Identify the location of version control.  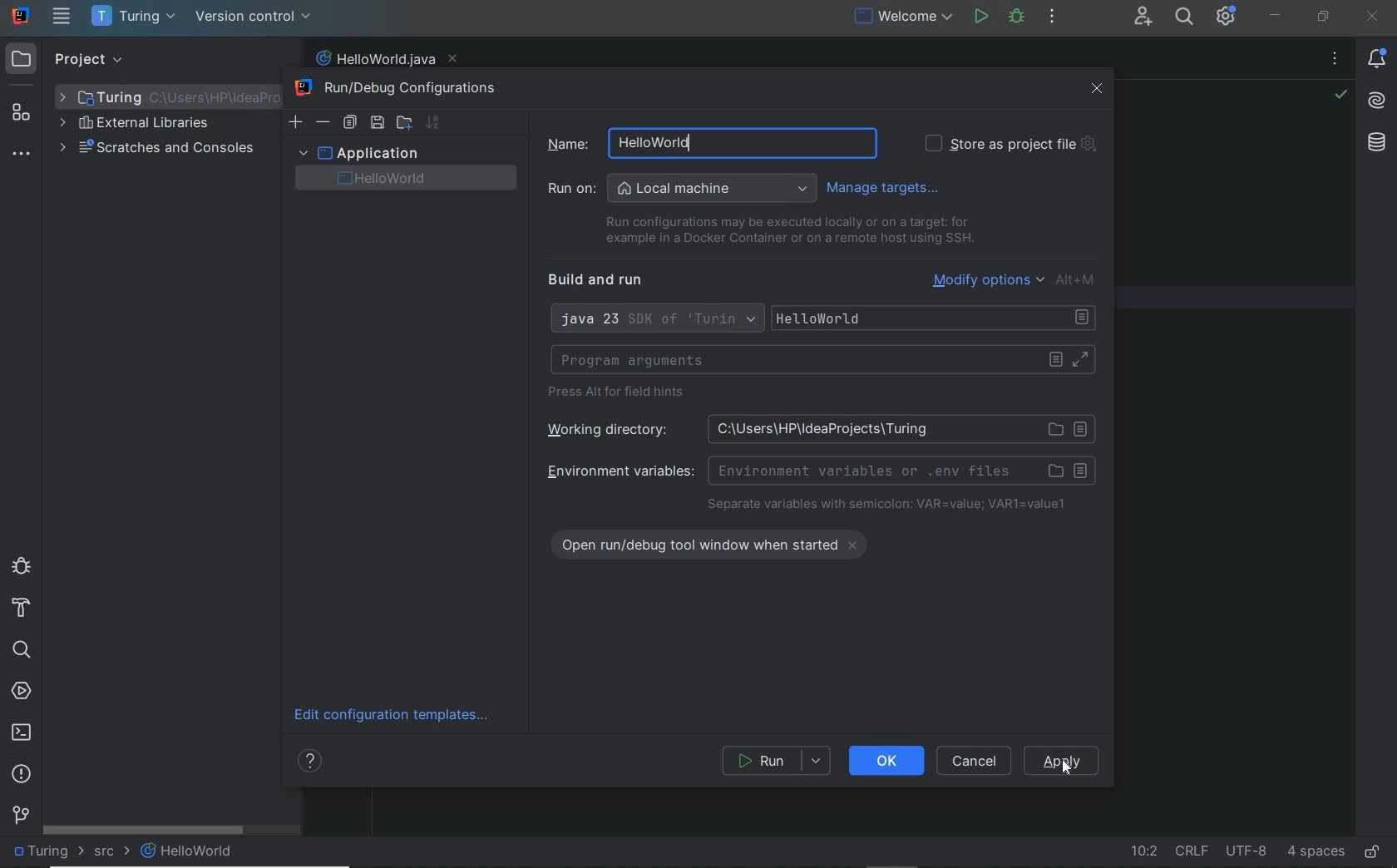
(21, 814).